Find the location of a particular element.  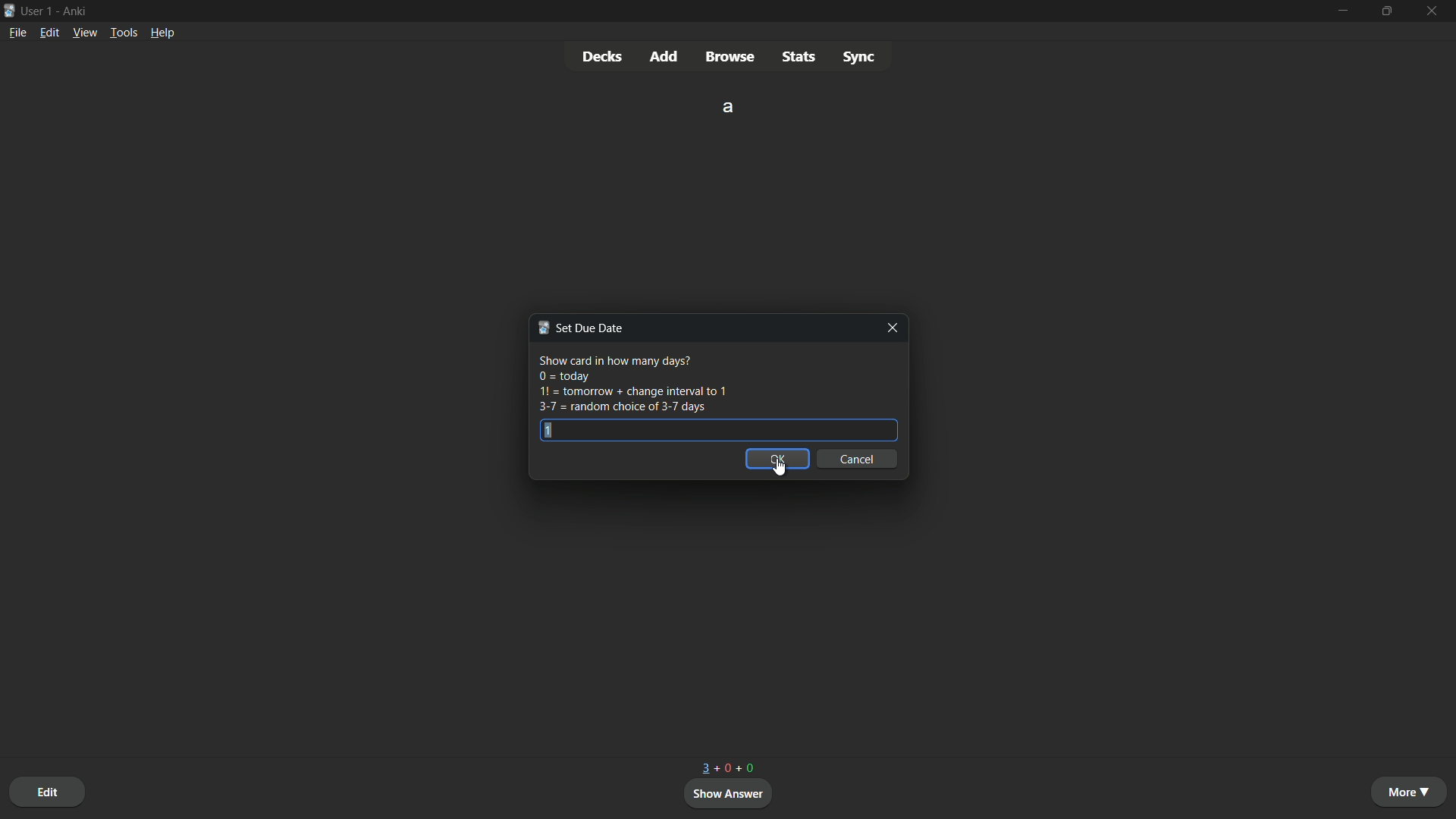

cursor is located at coordinates (777, 469).